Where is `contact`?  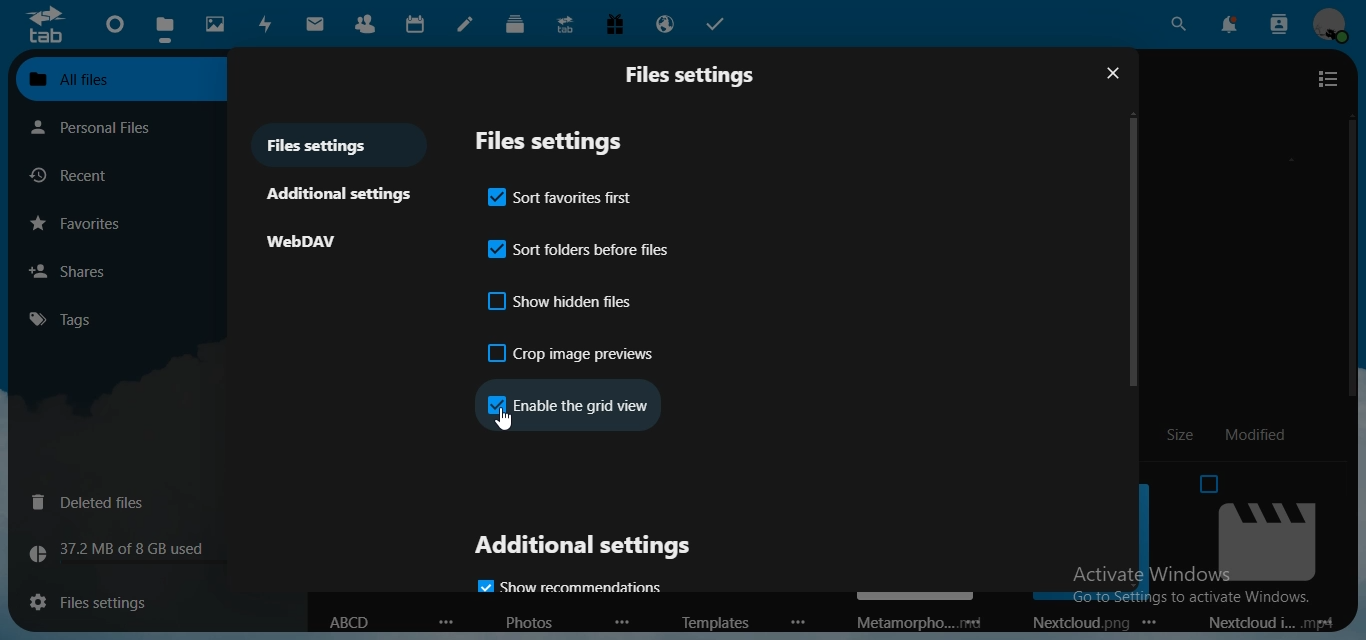
contact is located at coordinates (366, 22).